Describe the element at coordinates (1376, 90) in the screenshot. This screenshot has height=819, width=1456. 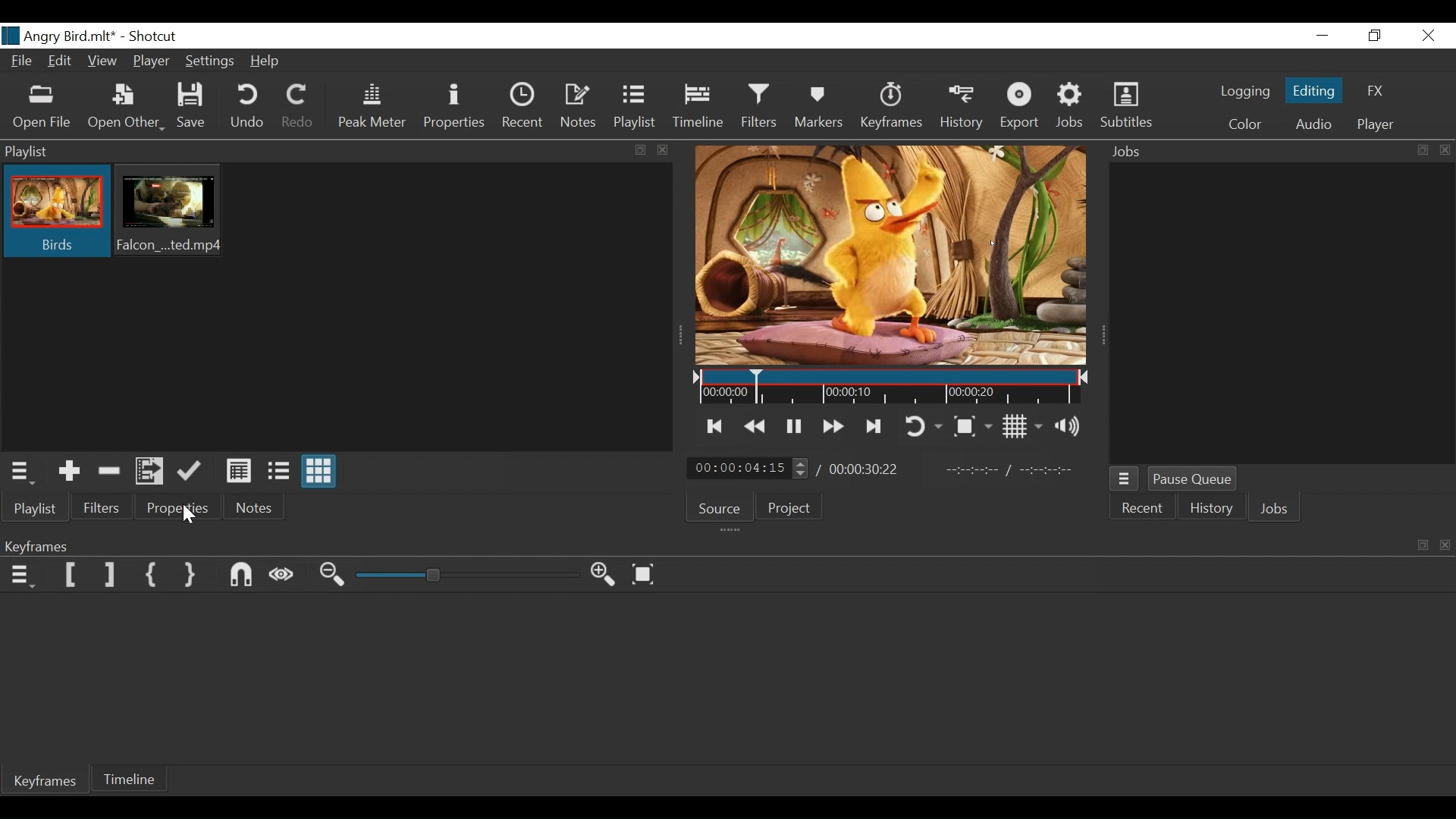
I see `FX` at that location.